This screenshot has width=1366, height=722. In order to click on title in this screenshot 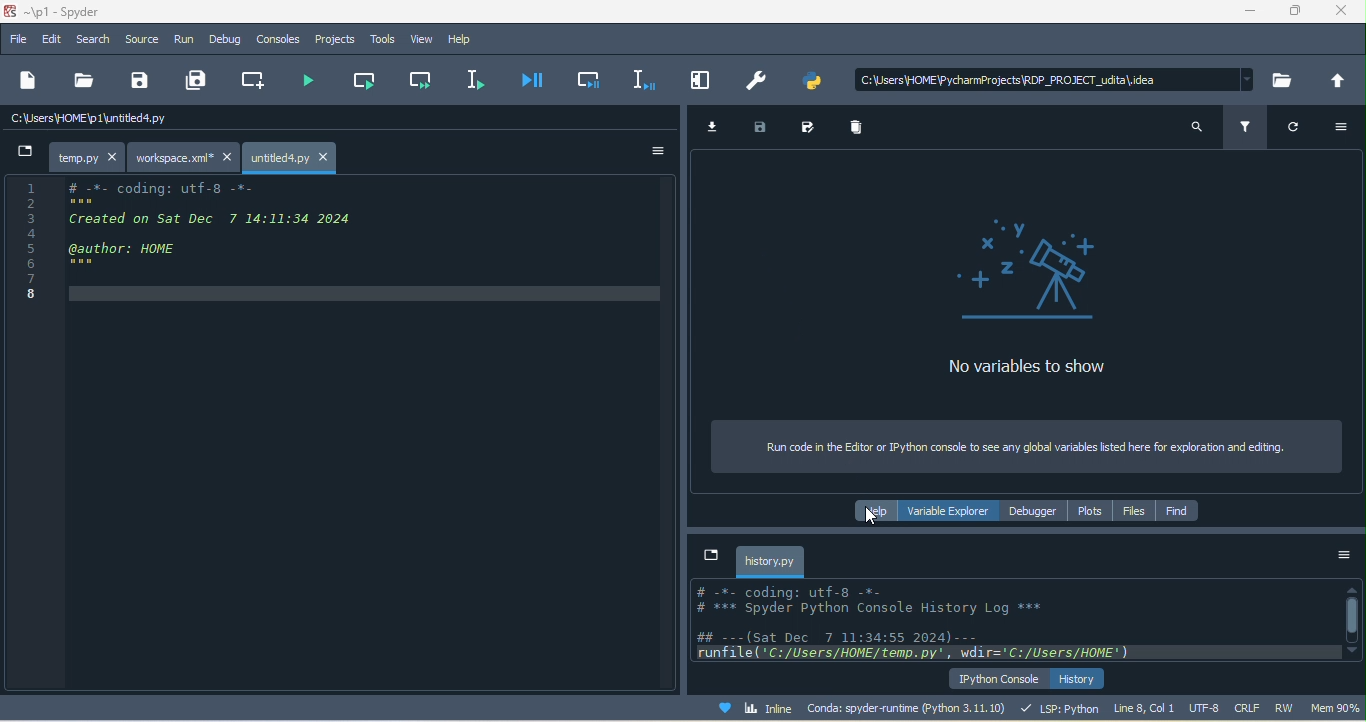, I will do `click(73, 12)`.